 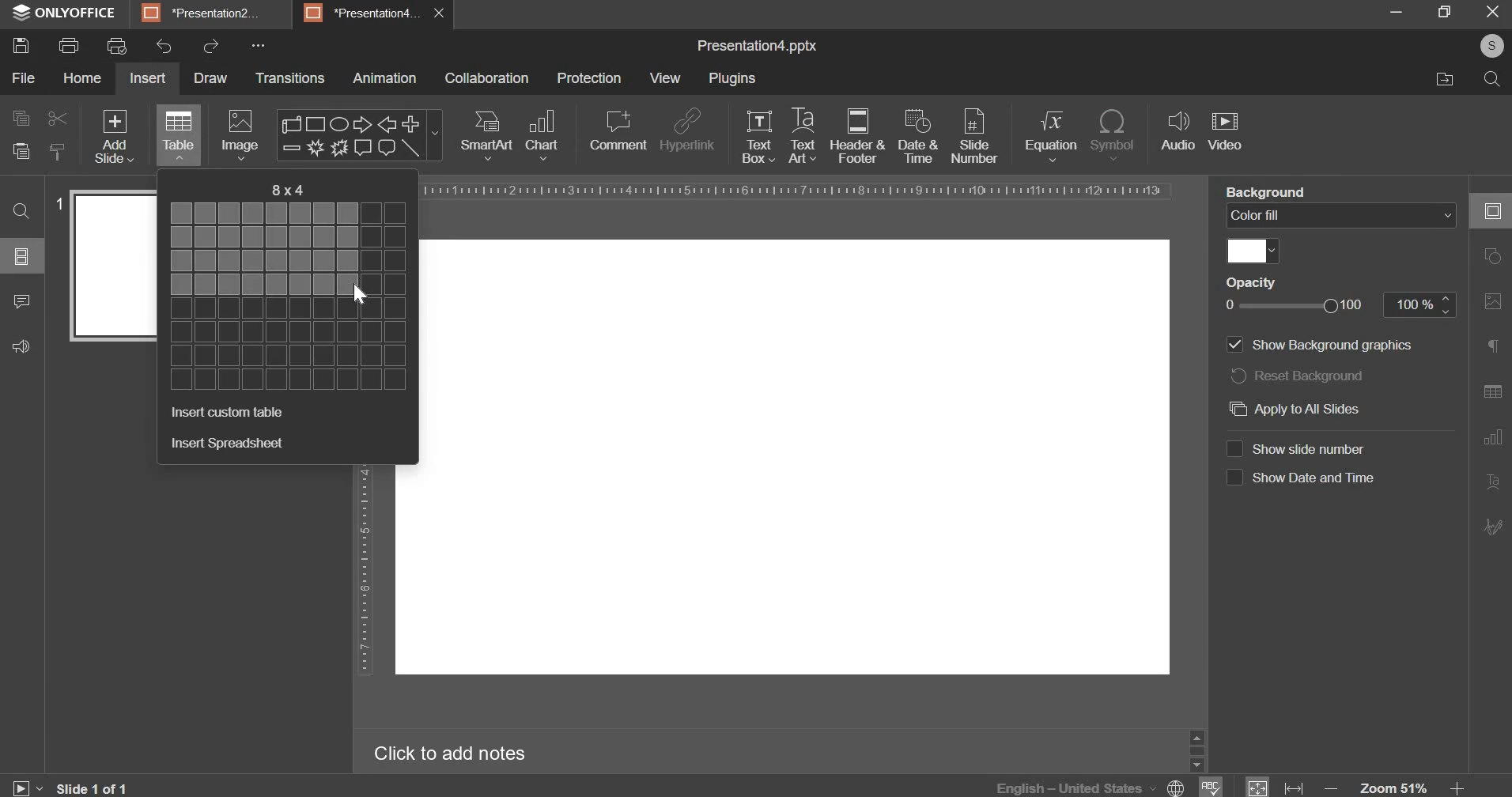 I want to click on text art, so click(x=1495, y=481).